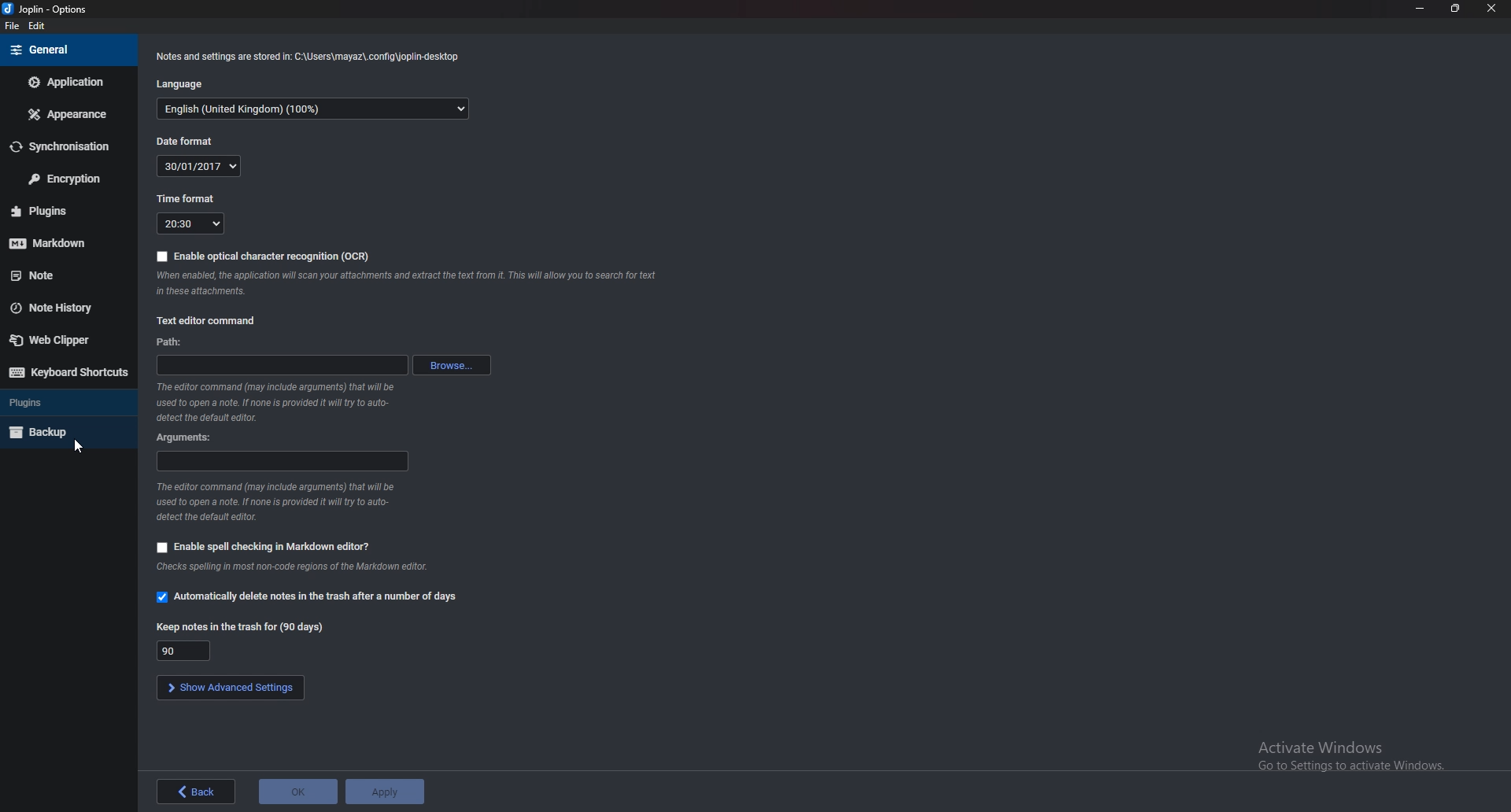  I want to click on Synchronization, so click(68, 146).